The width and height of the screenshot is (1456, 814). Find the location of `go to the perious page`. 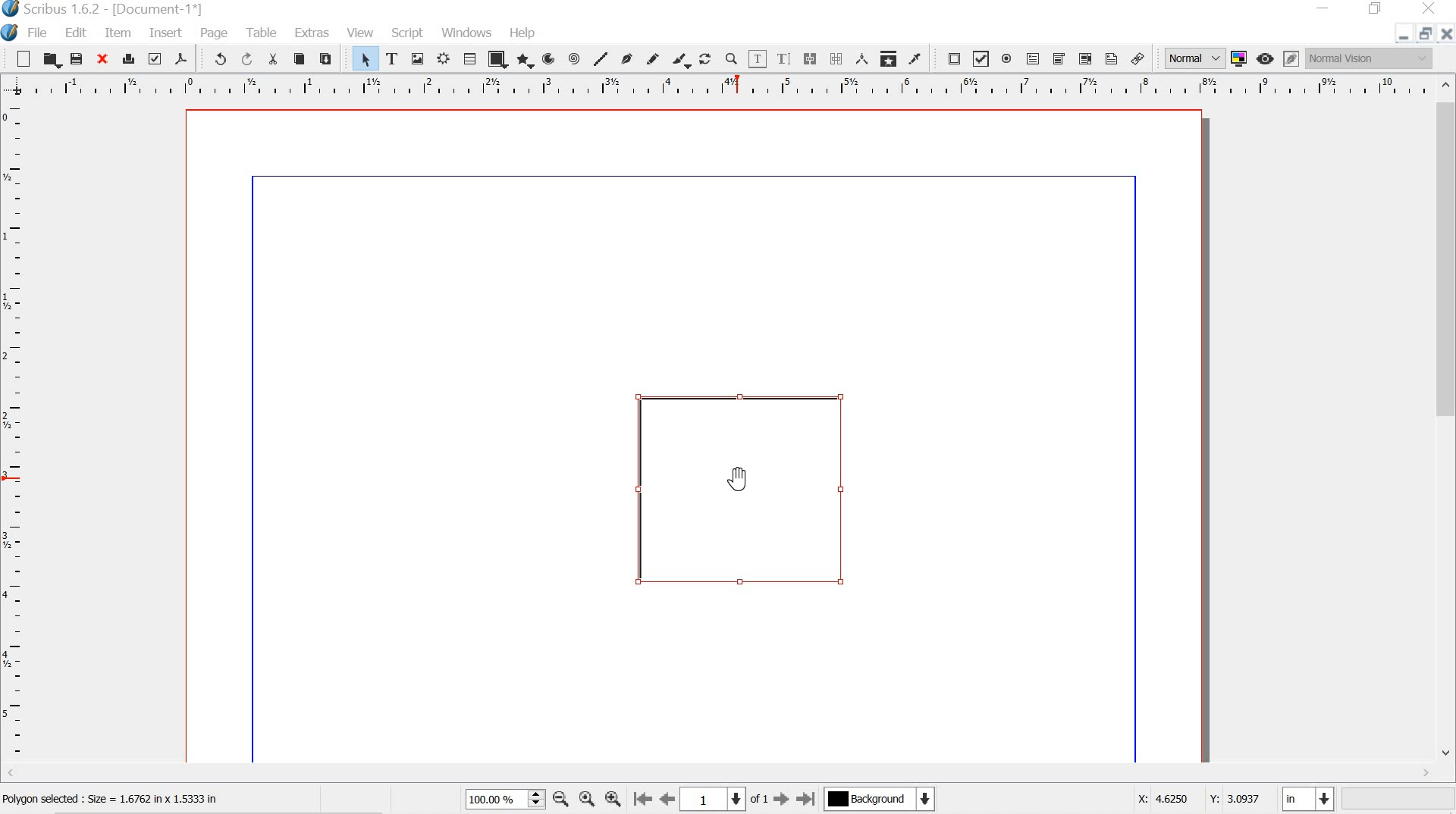

go to the perious page is located at coordinates (670, 800).